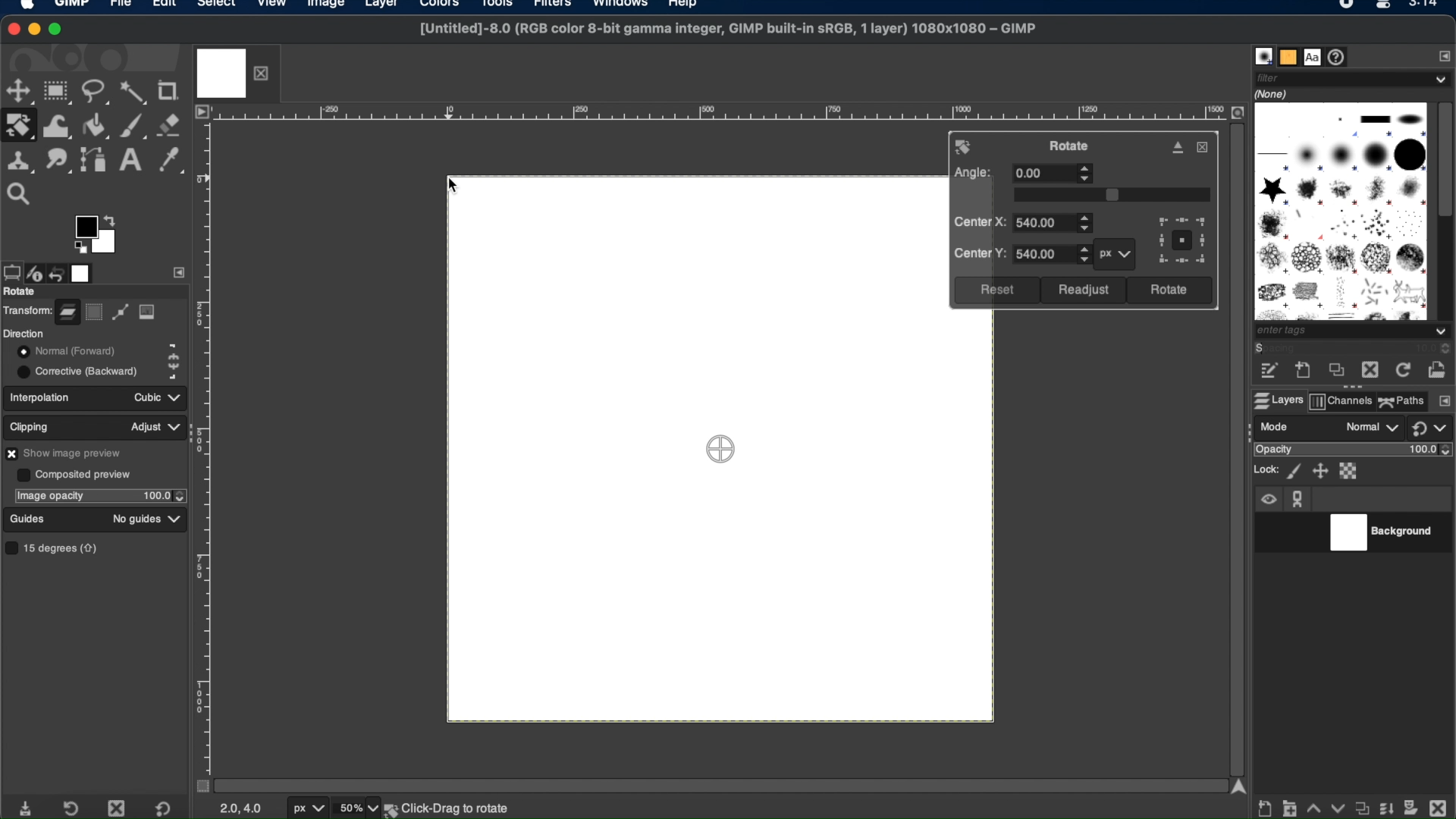 This screenshot has width=1456, height=819. What do you see at coordinates (457, 188) in the screenshot?
I see `cursor` at bounding box center [457, 188].